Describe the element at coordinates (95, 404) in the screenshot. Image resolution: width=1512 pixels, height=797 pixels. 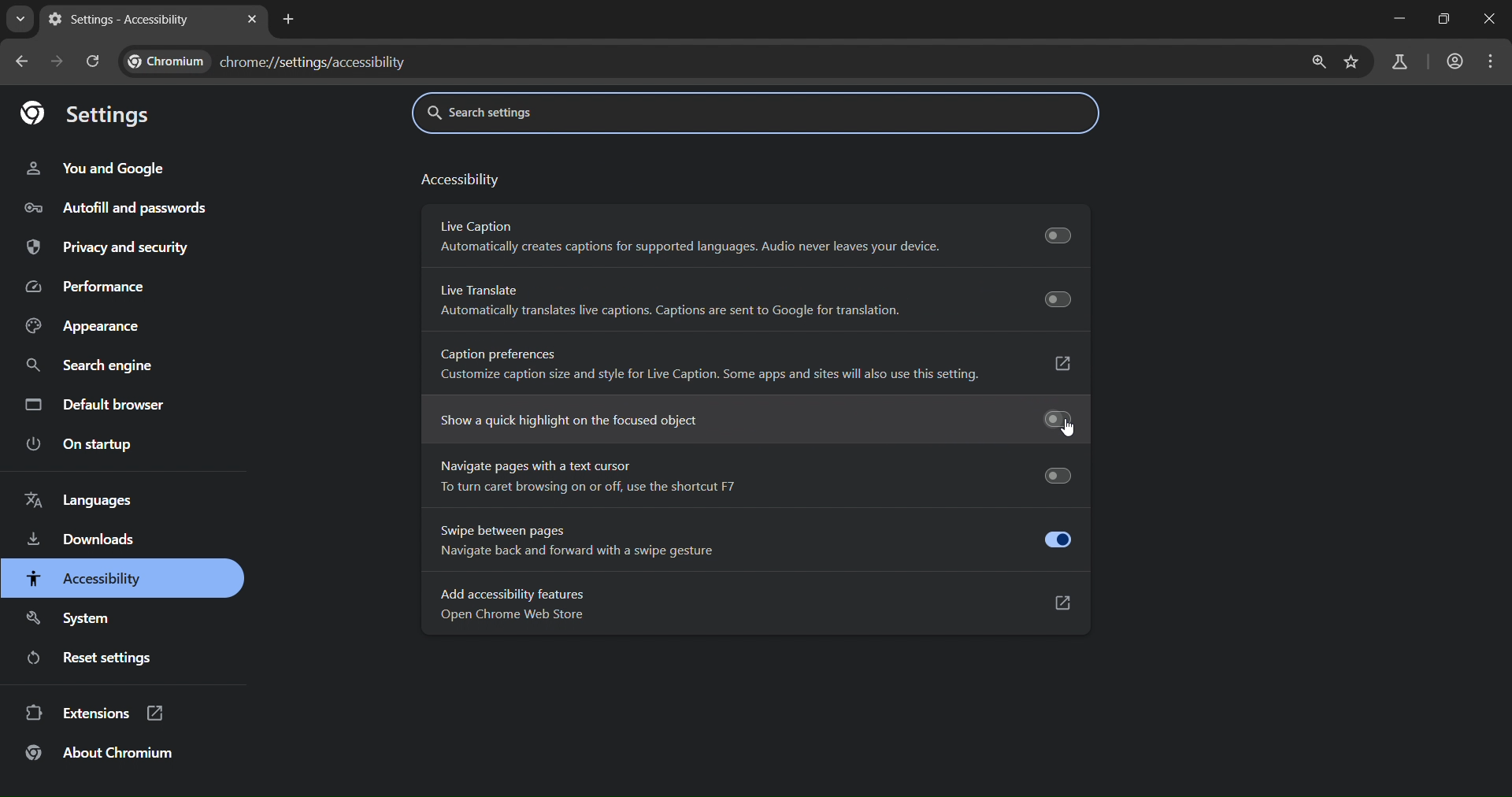
I see `default browser` at that location.